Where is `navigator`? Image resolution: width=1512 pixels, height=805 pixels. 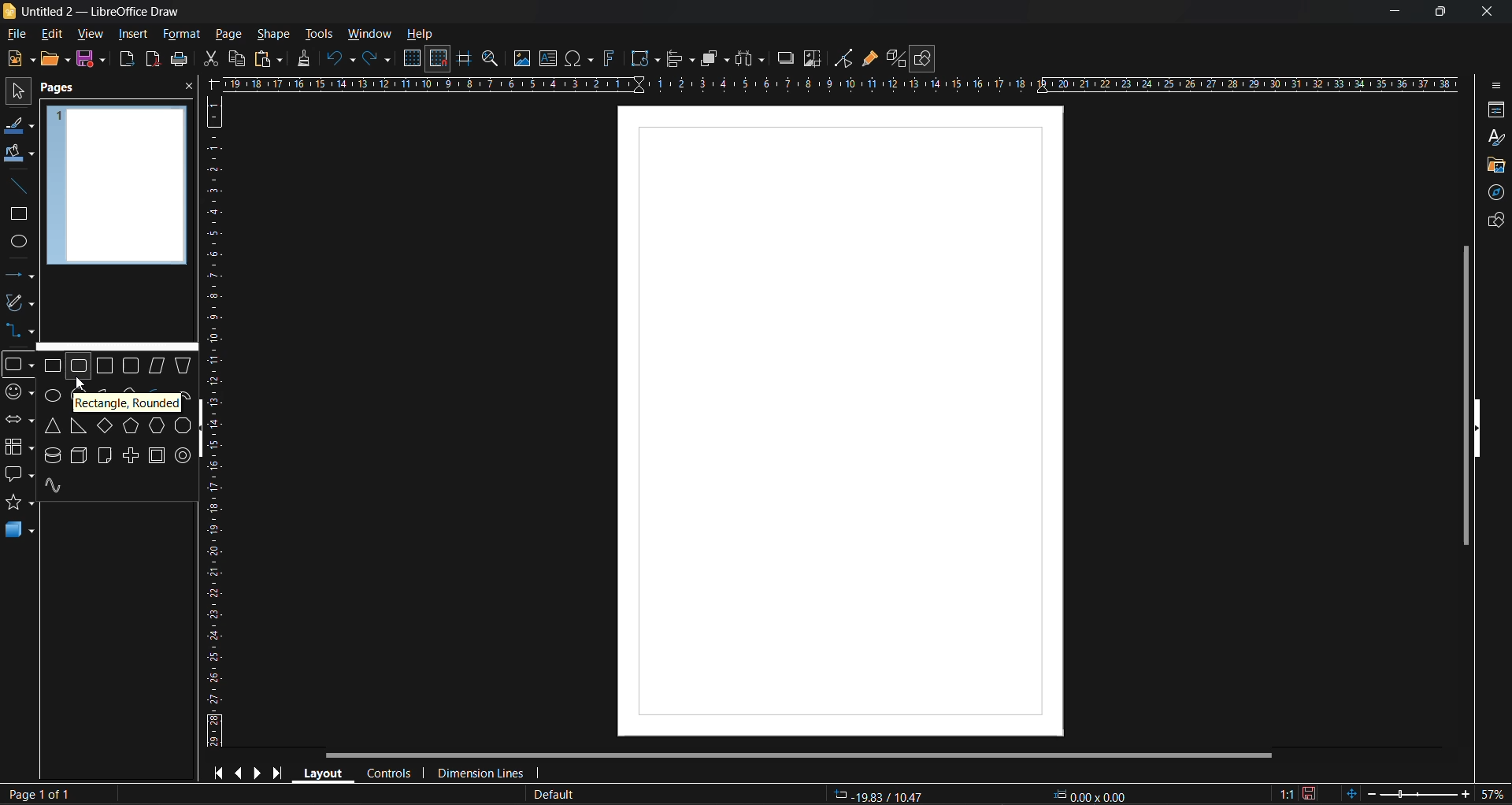 navigator is located at coordinates (1493, 195).